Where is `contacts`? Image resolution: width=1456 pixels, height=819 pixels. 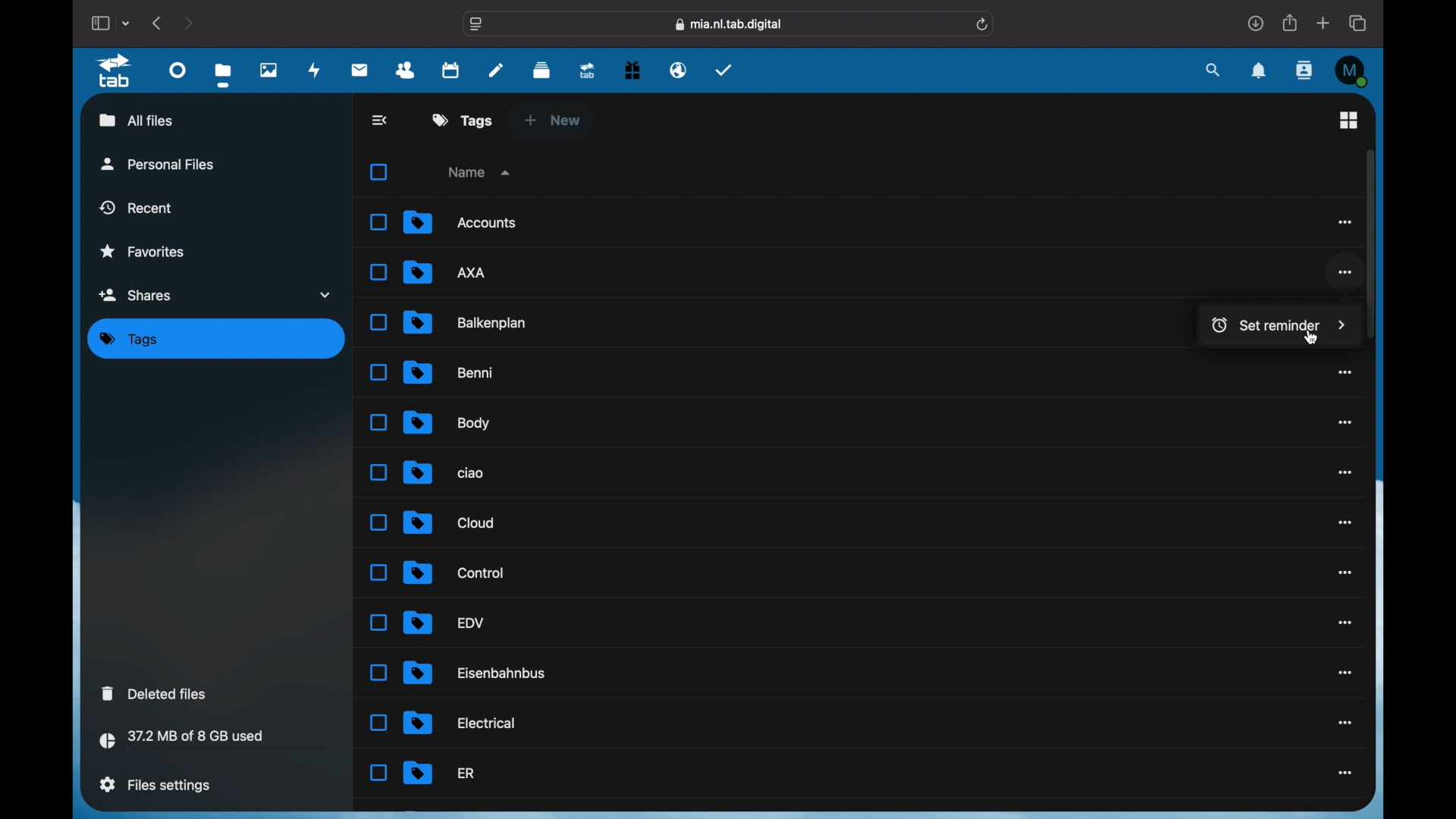
contacts is located at coordinates (406, 71).